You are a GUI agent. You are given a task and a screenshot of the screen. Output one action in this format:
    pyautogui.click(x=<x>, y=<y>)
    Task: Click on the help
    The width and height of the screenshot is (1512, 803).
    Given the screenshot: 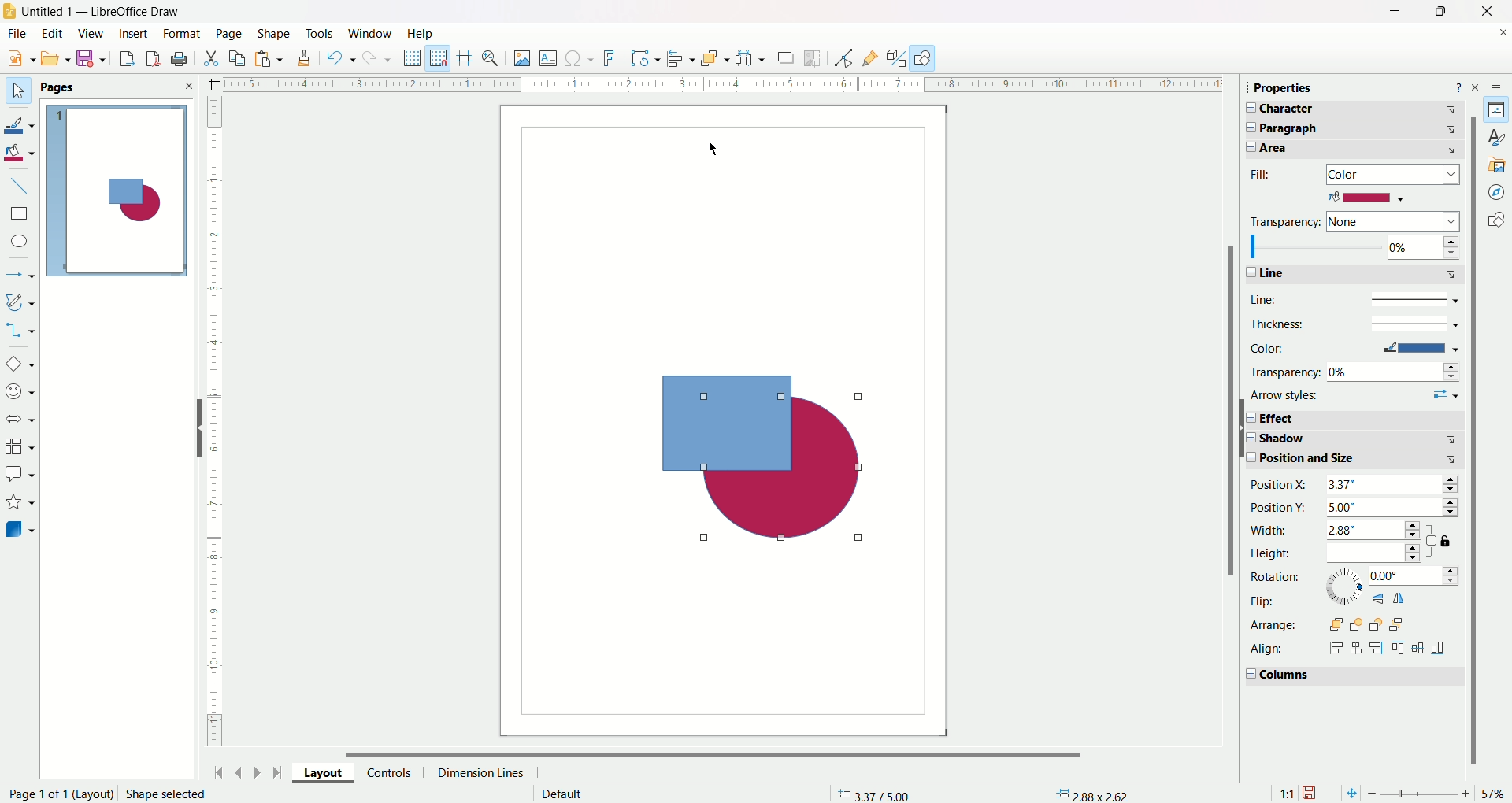 What is the action you would take?
    pyautogui.click(x=420, y=33)
    